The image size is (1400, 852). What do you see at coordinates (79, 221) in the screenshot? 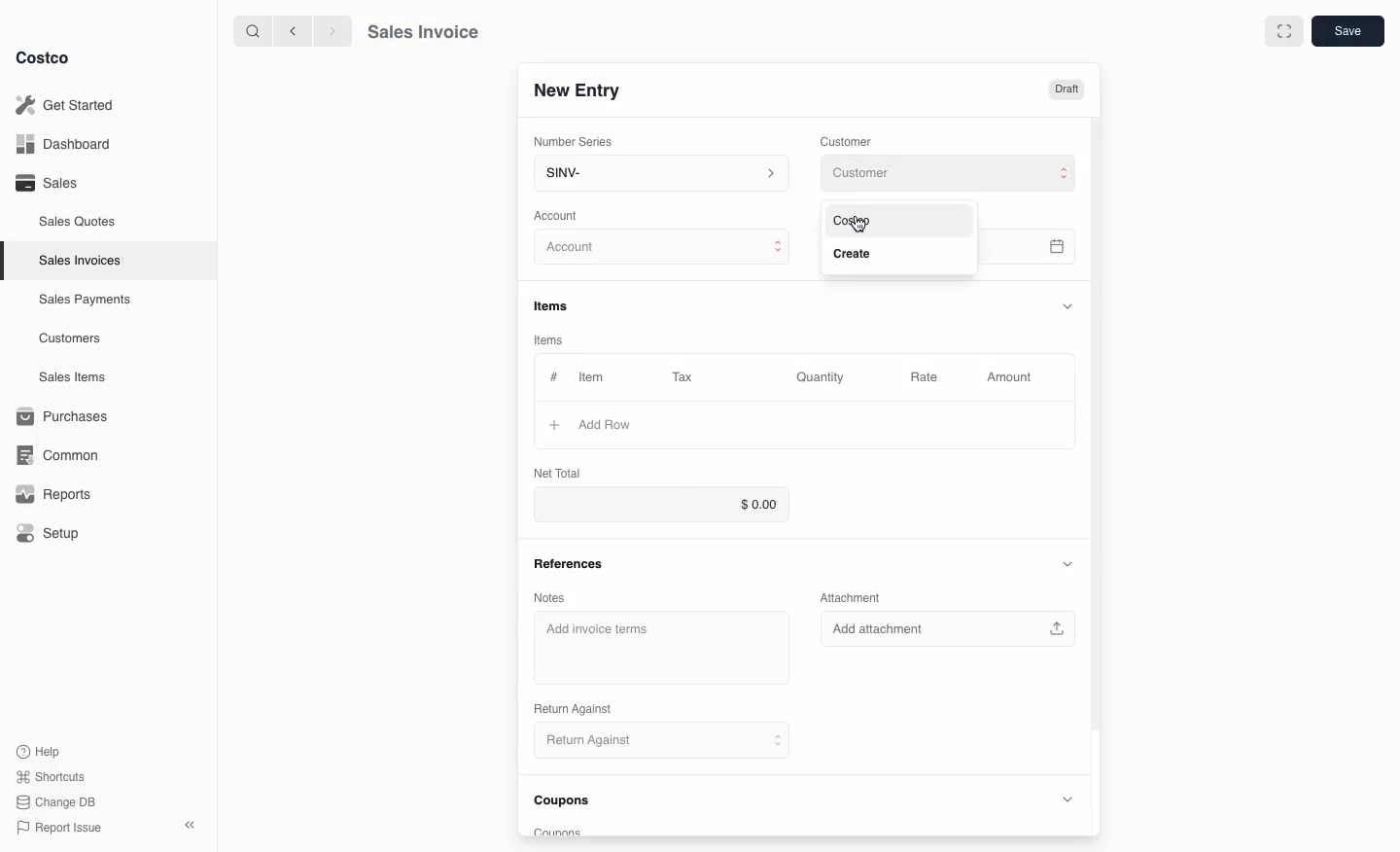
I see `Sales Quotes` at bounding box center [79, 221].